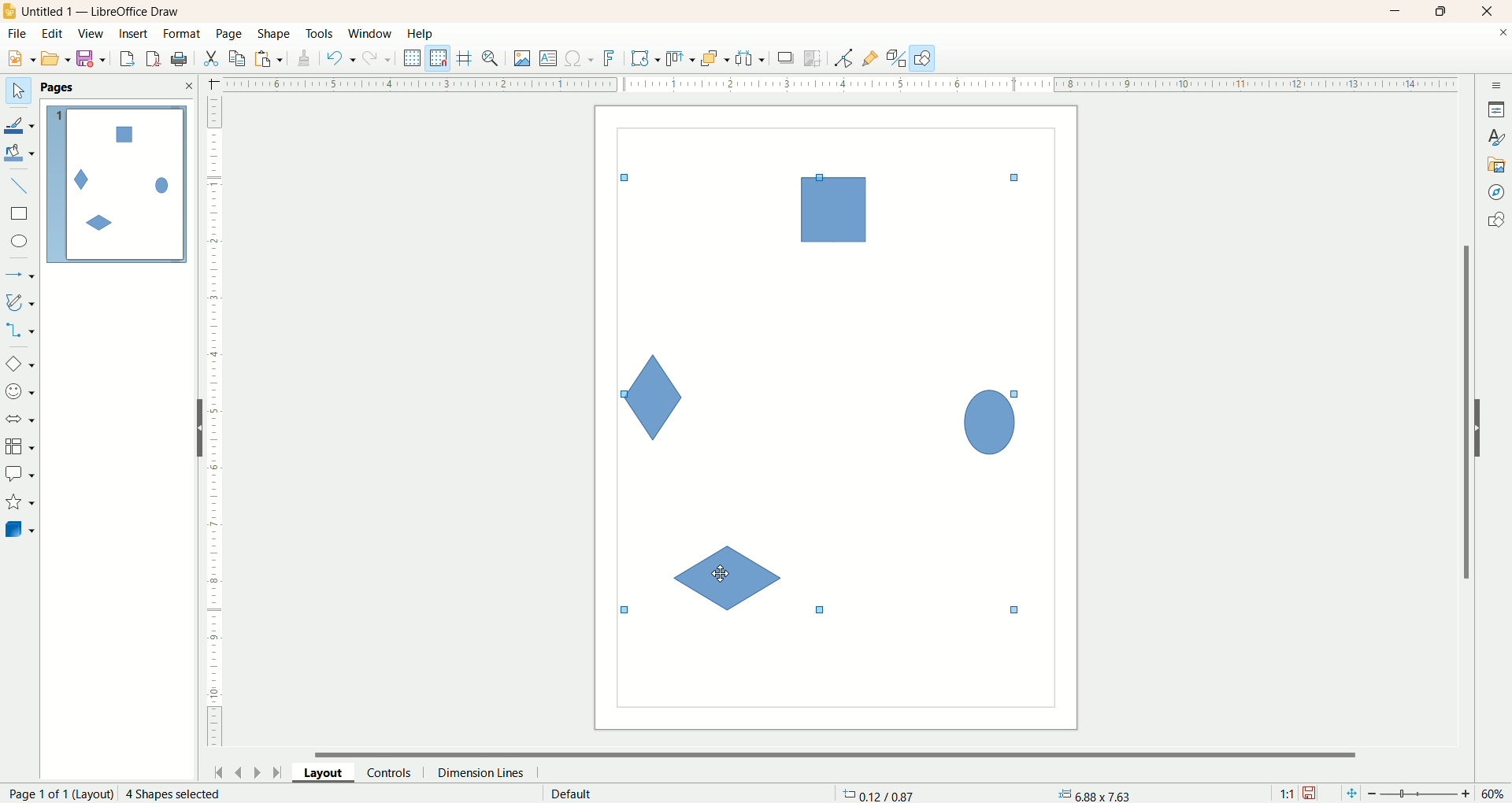 Image resolution: width=1512 pixels, height=803 pixels. Describe the element at coordinates (258, 772) in the screenshot. I see `next page` at that location.